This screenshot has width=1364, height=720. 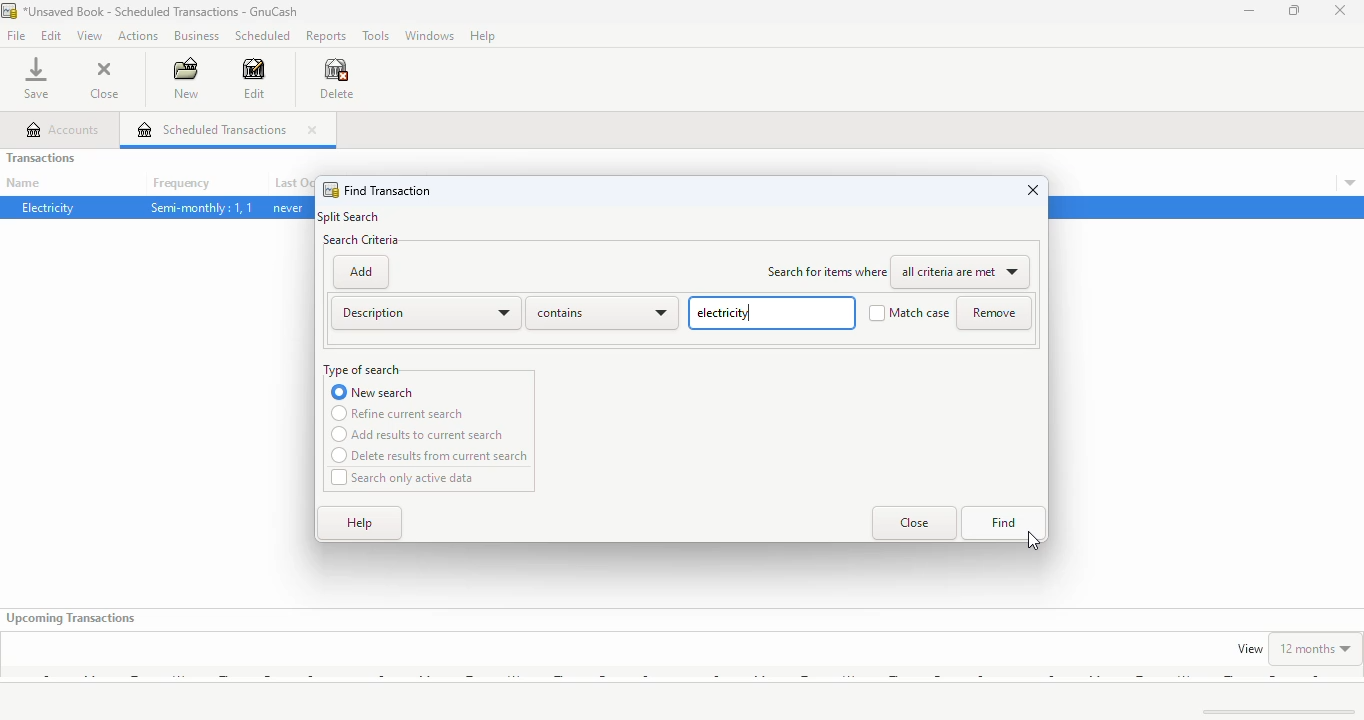 I want to click on electricity, so click(x=49, y=207).